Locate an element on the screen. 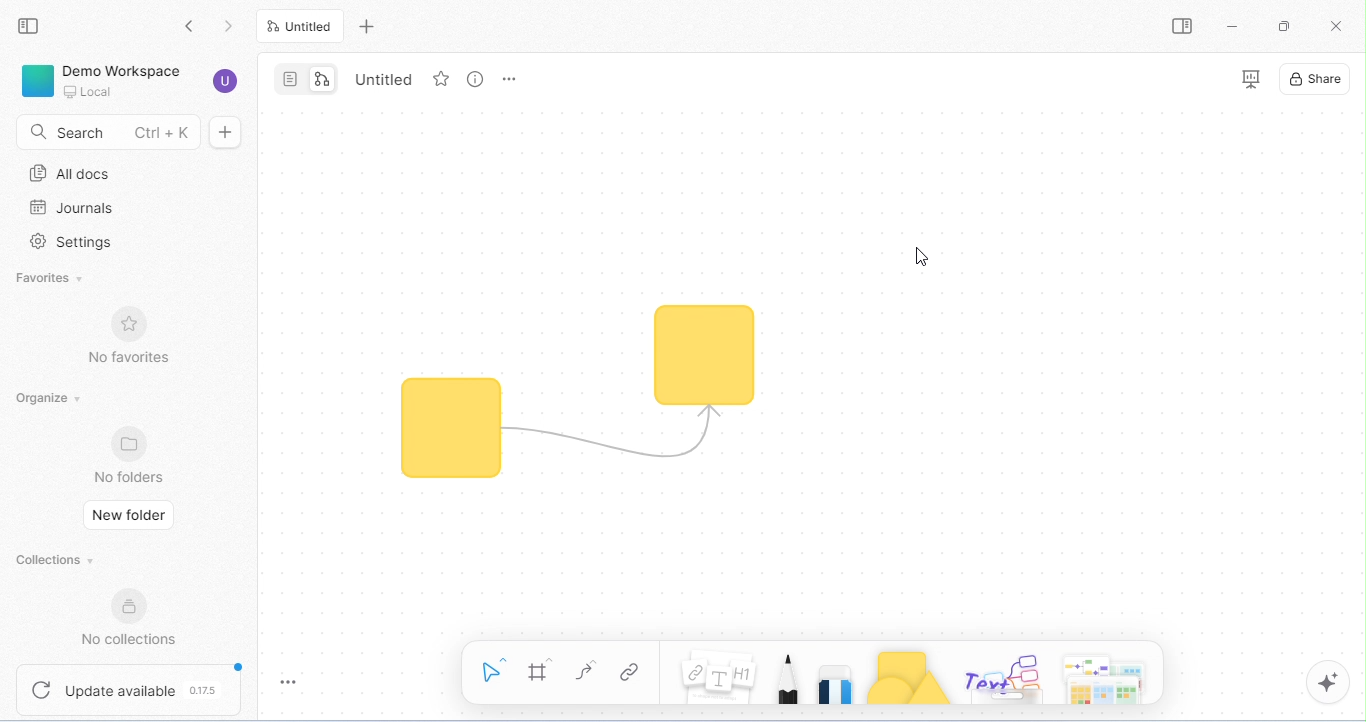  toggle zoom is located at coordinates (292, 681).